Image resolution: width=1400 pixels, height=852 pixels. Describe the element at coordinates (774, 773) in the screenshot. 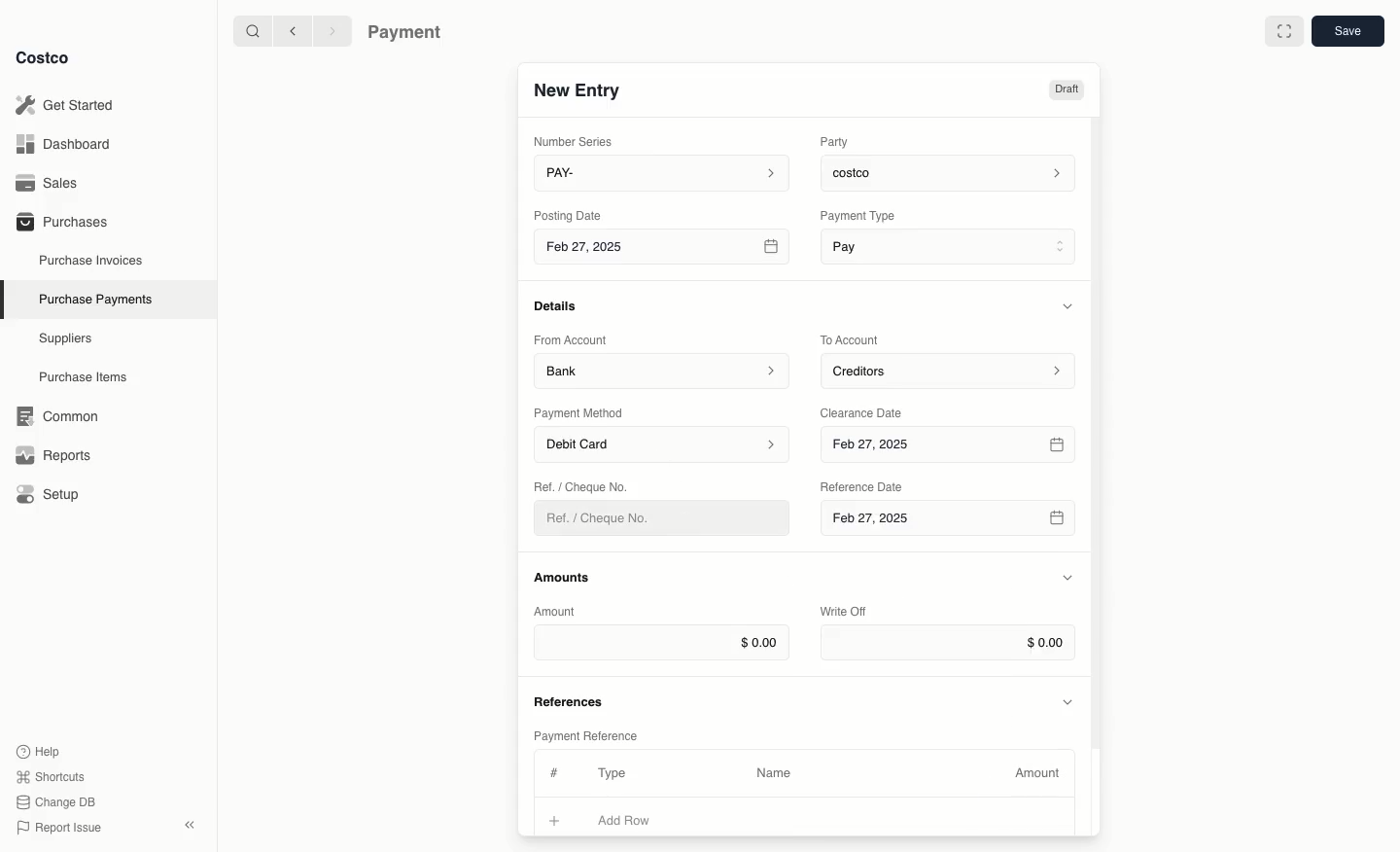

I see `Name` at that location.